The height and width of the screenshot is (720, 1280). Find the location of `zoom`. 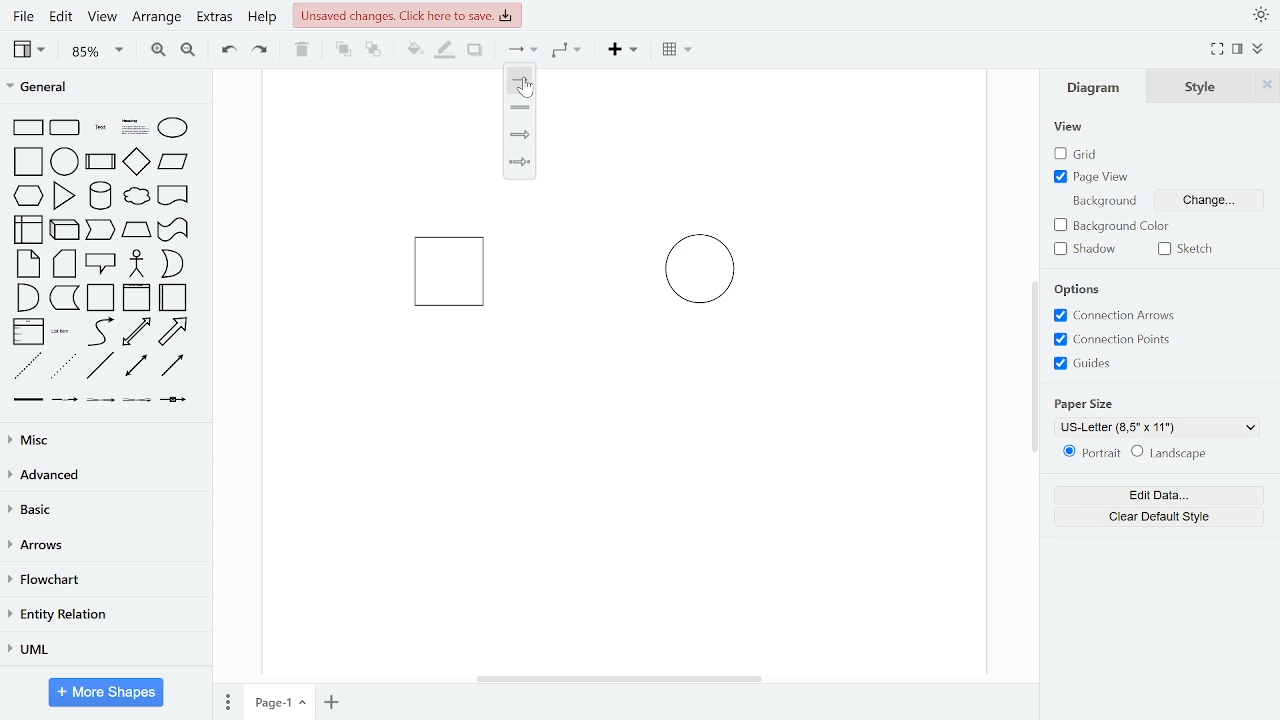

zoom is located at coordinates (98, 50).